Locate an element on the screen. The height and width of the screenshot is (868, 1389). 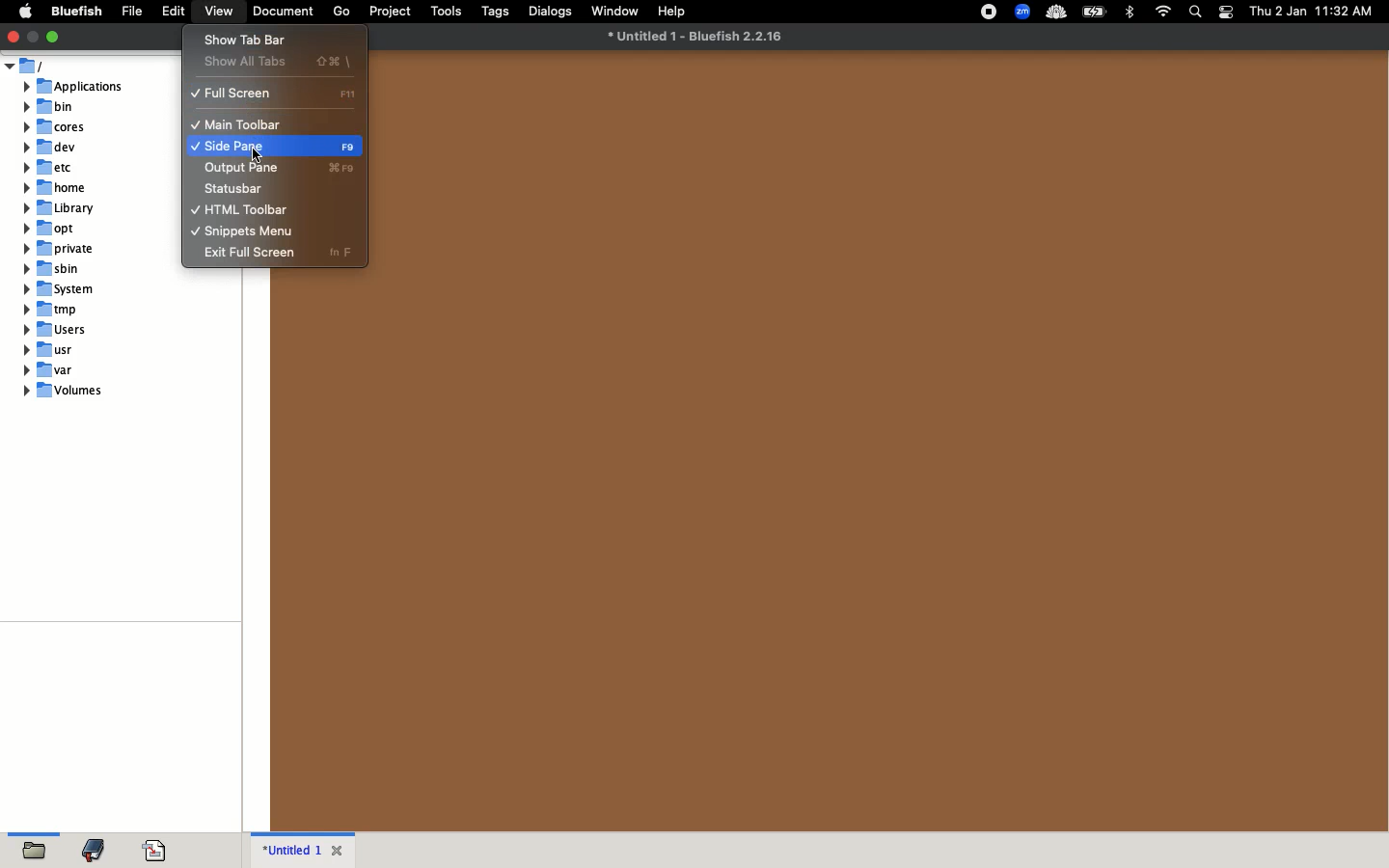
status bar is located at coordinates (234, 189).